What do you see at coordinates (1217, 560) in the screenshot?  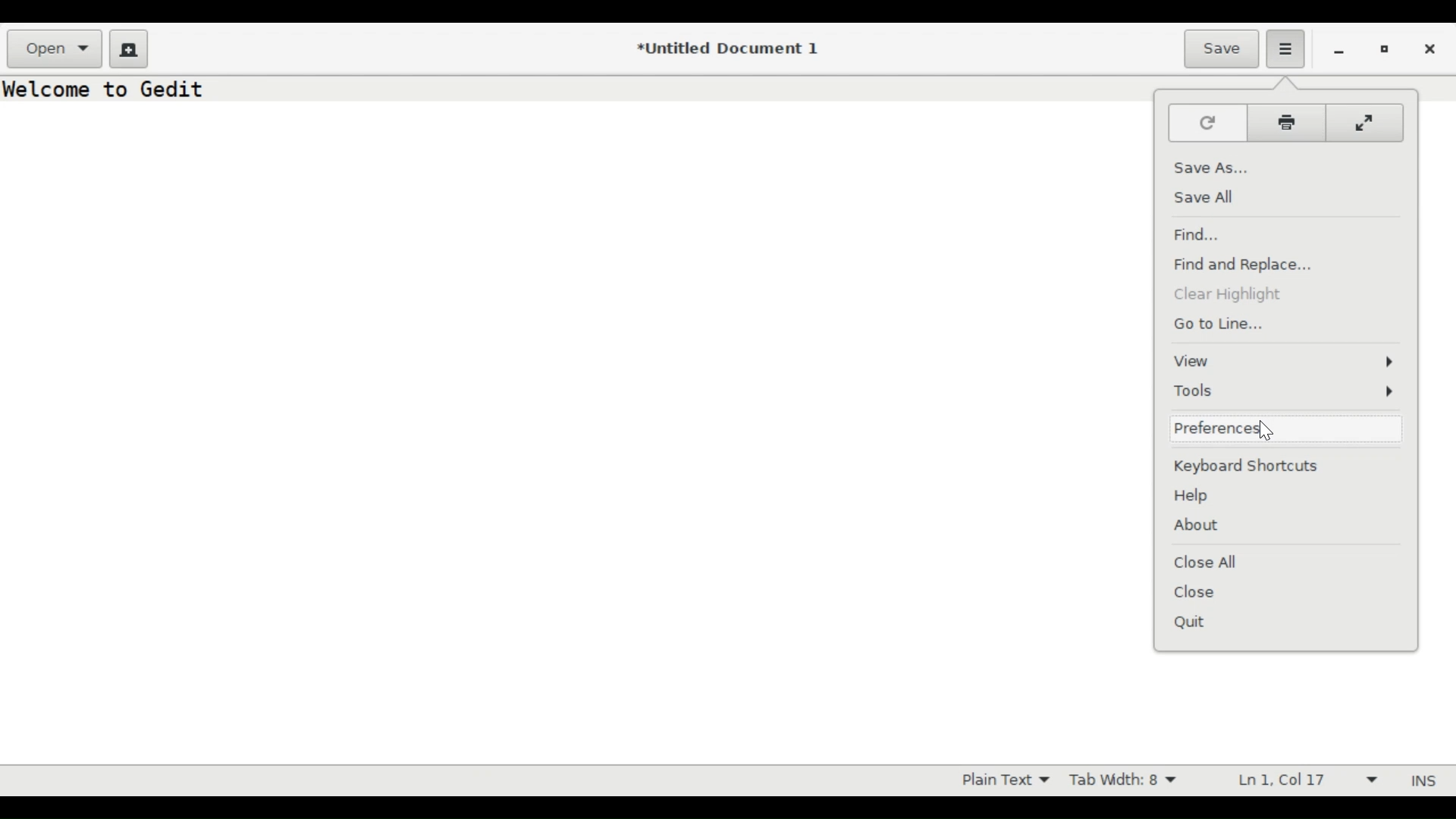 I see `Close All` at bounding box center [1217, 560].